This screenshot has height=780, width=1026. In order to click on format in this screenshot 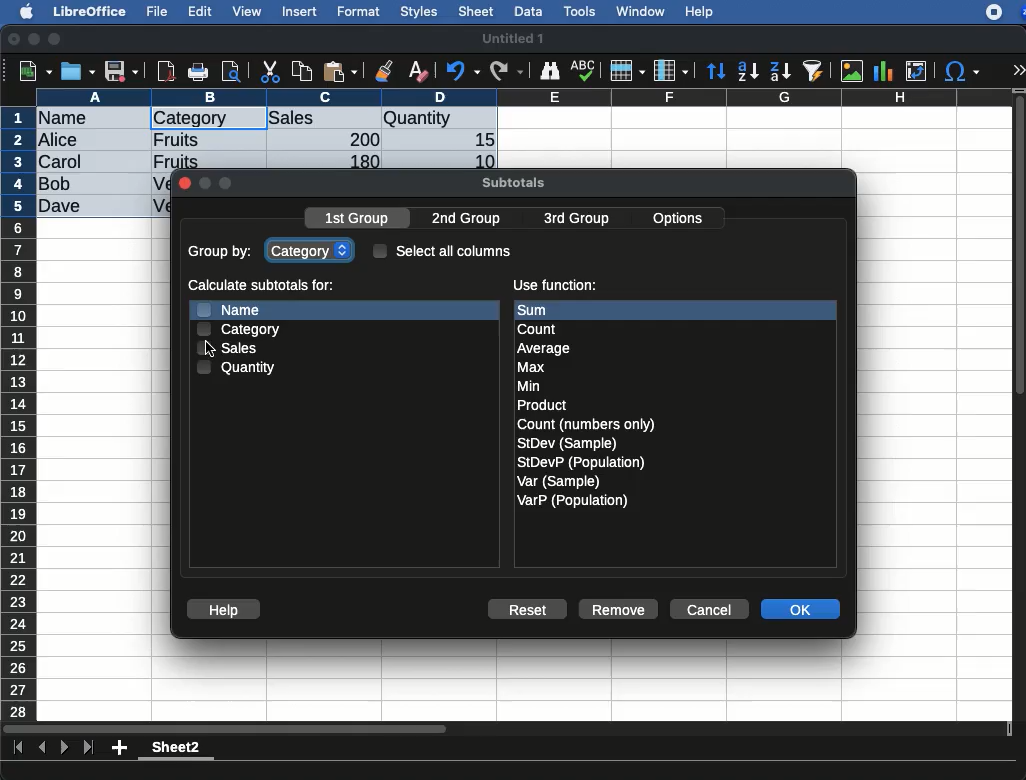, I will do `click(359, 12)`.